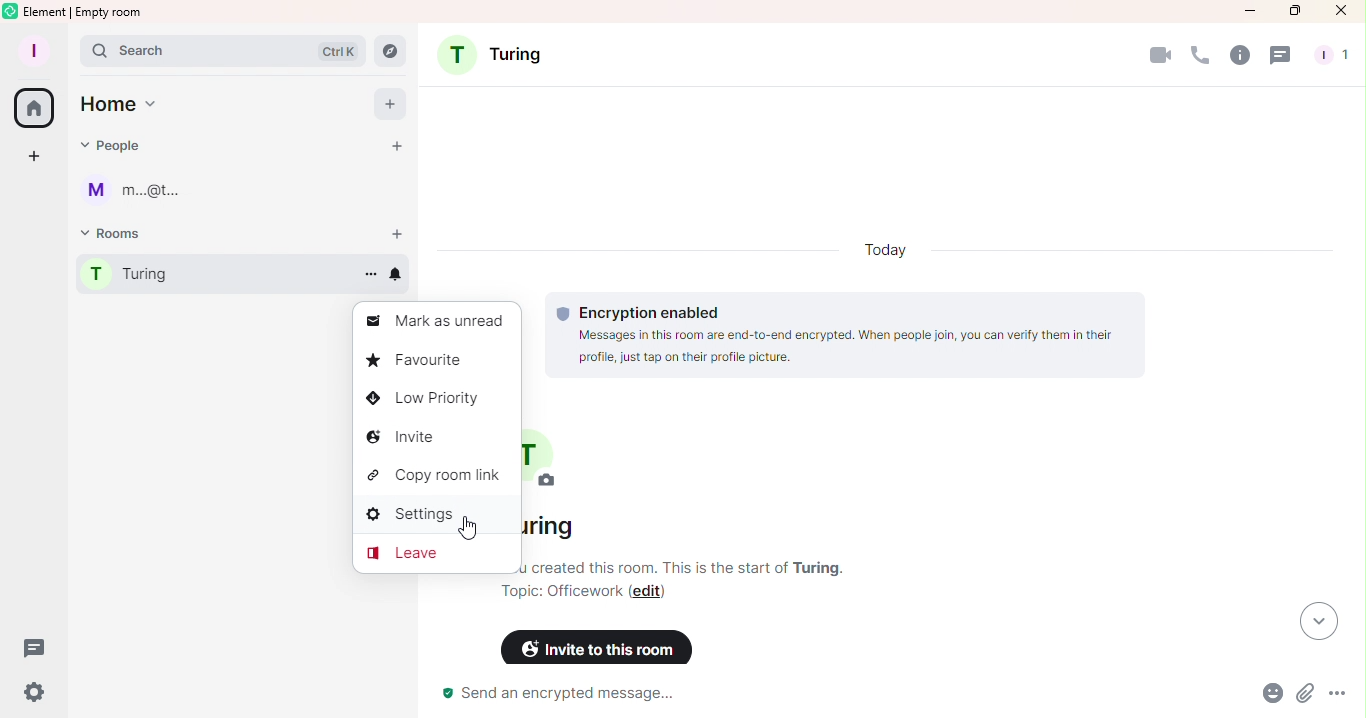  I want to click on Favourite, so click(418, 362).